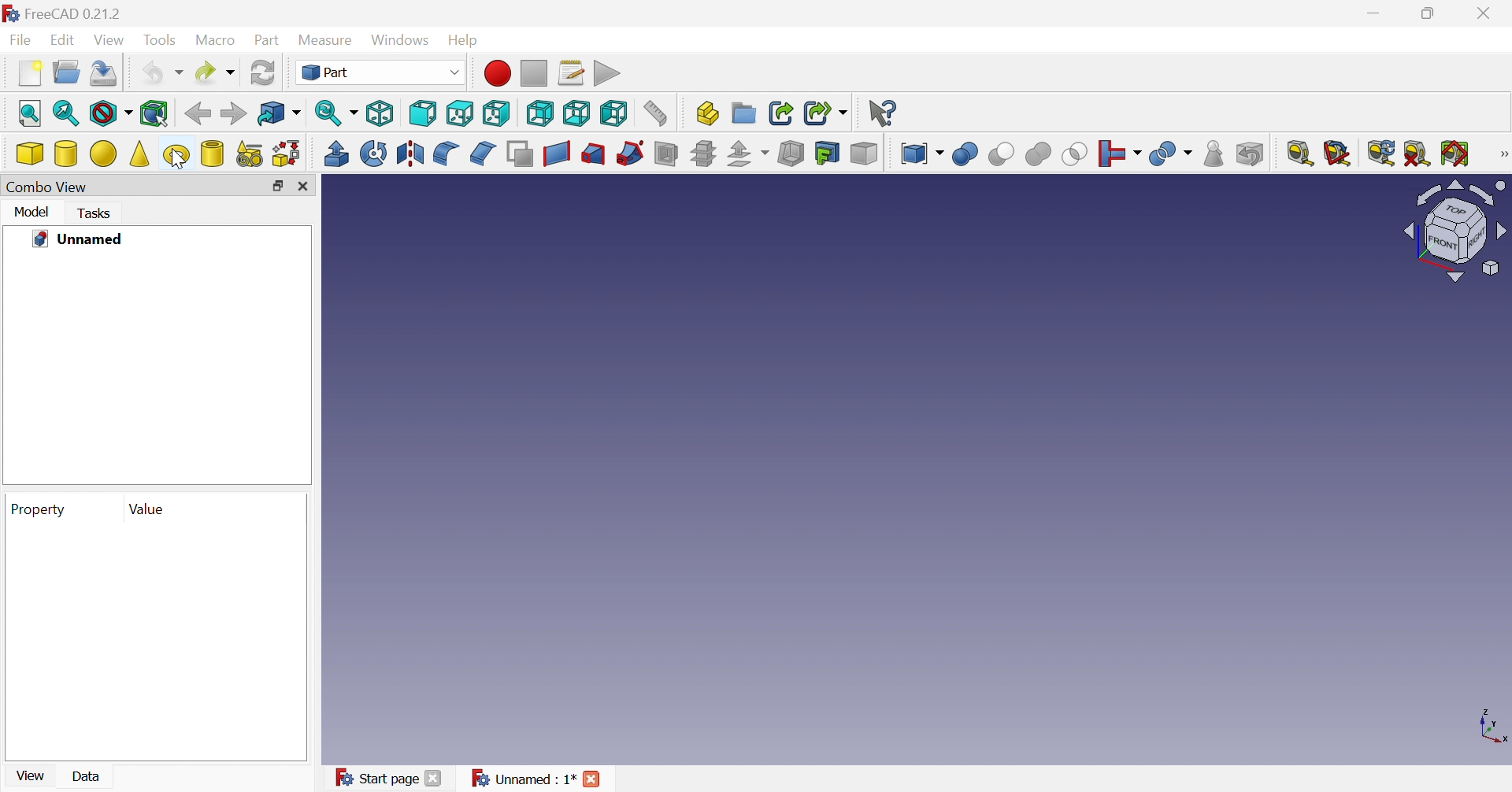 Image resolution: width=1512 pixels, height=792 pixels. Describe the element at coordinates (176, 162) in the screenshot. I see `cursor` at that location.